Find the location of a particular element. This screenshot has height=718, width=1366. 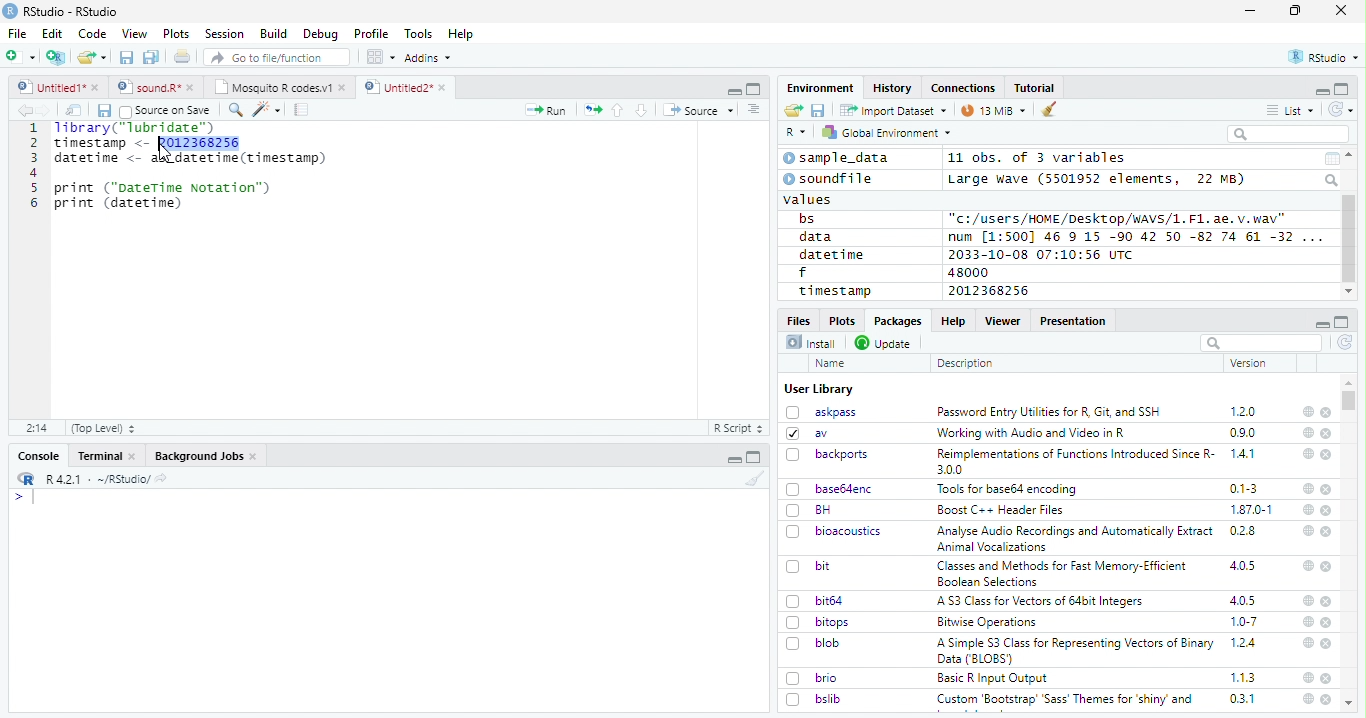

Edit is located at coordinates (52, 33).